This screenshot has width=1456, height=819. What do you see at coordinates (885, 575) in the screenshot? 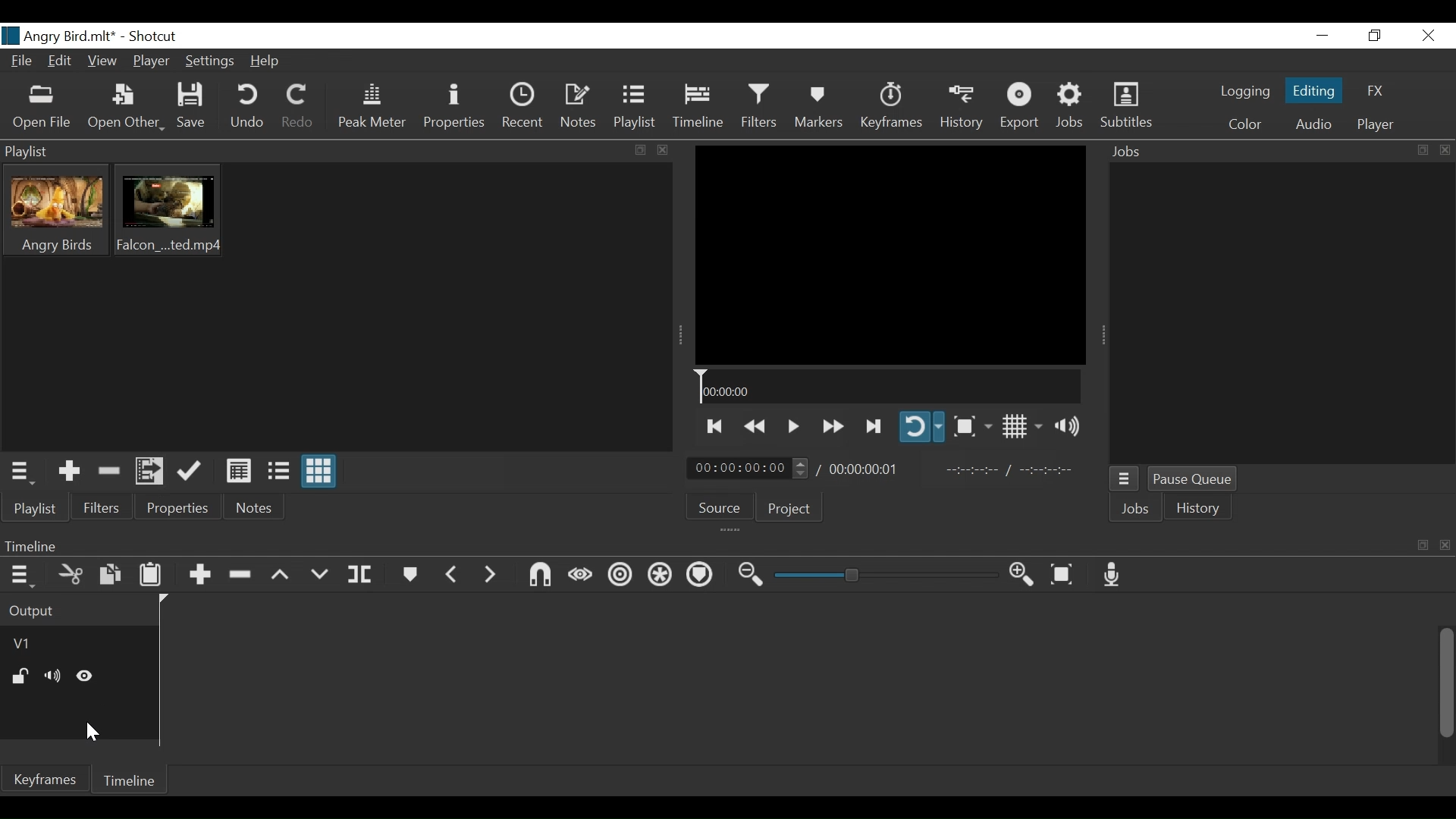
I see `Zoom slider` at bounding box center [885, 575].